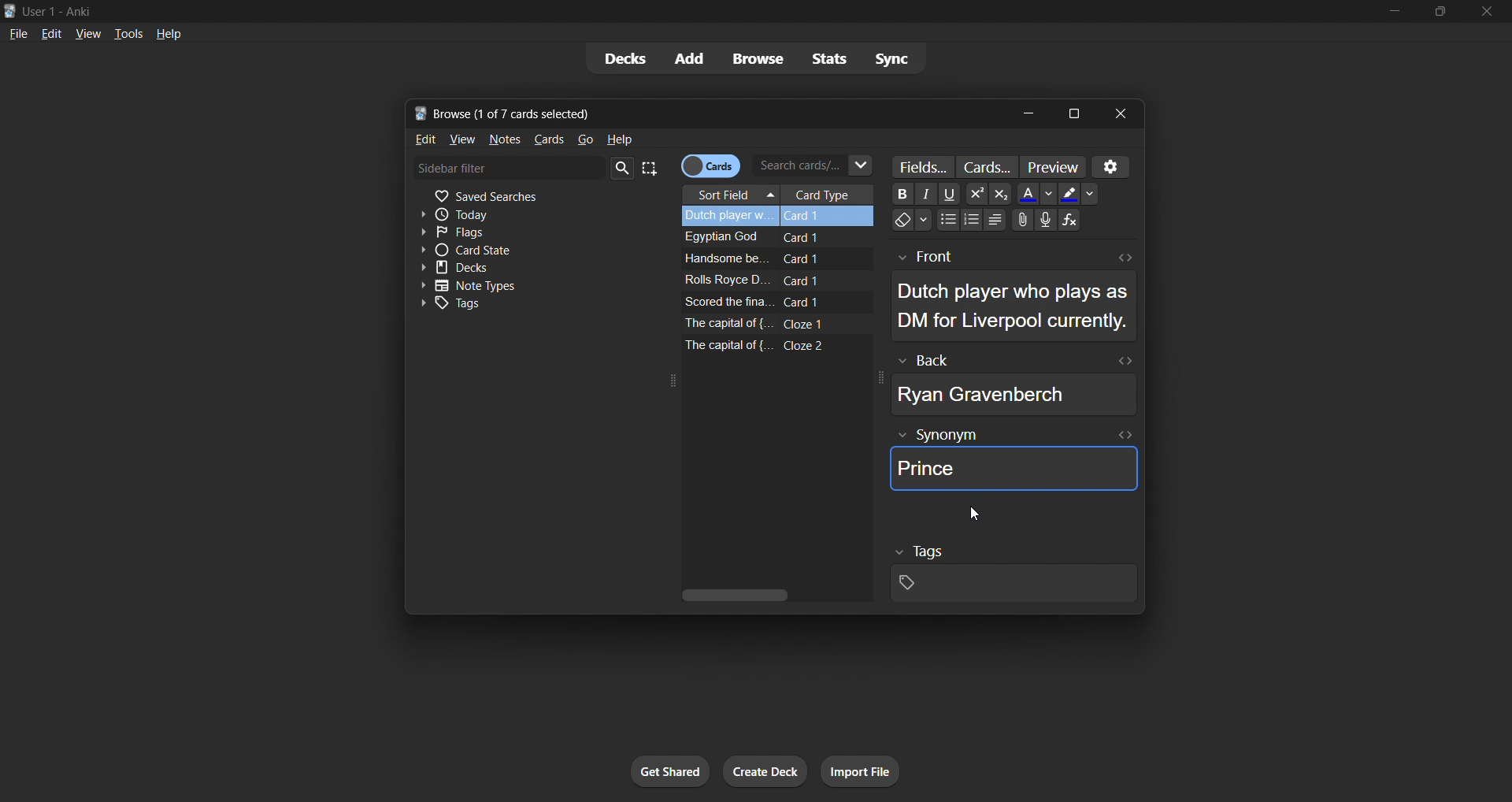 The width and height of the screenshot is (1512, 802). Describe the element at coordinates (666, 771) in the screenshot. I see `get shared` at that location.